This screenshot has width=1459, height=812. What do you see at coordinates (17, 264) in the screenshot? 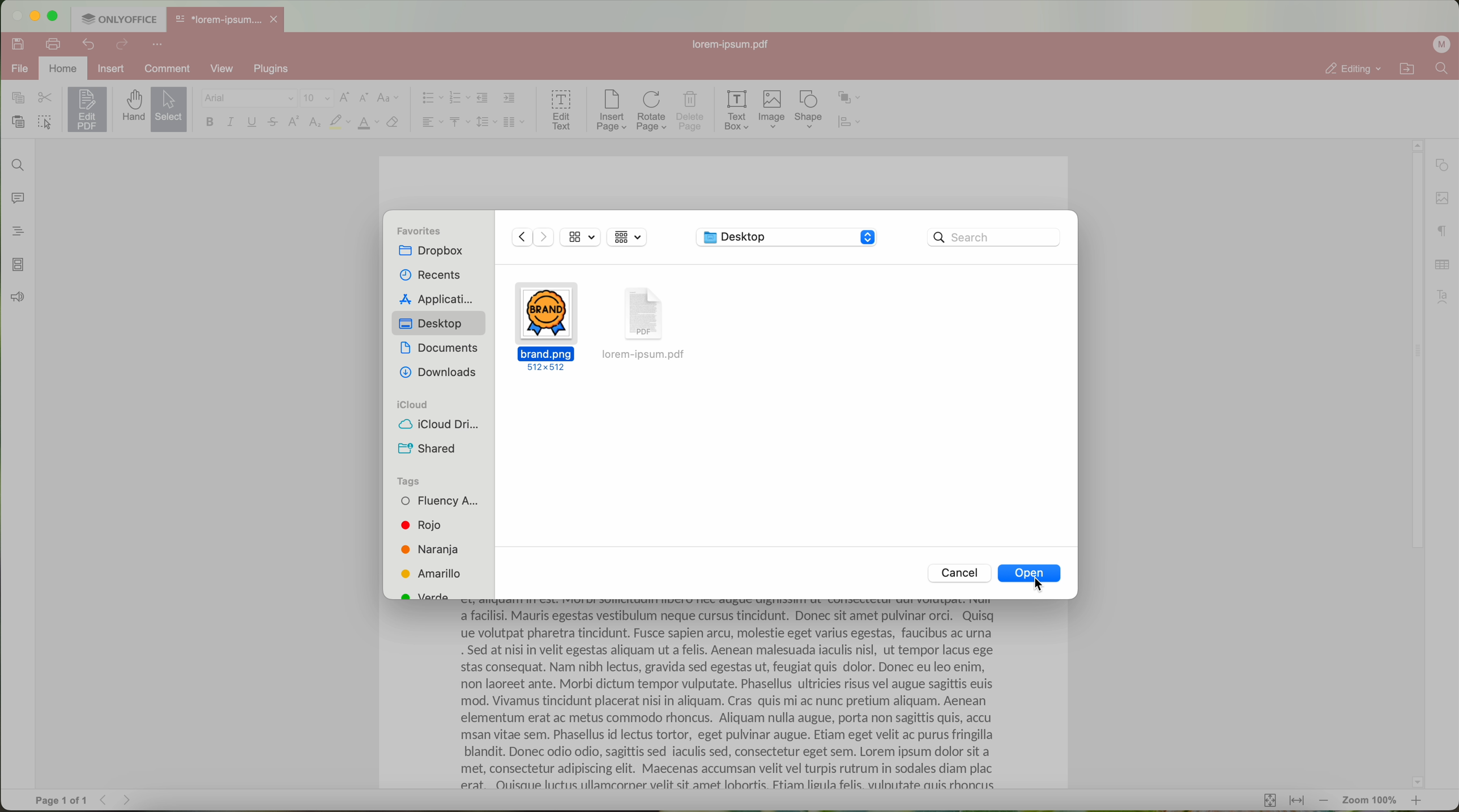
I see `page thumbnails` at bounding box center [17, 264].